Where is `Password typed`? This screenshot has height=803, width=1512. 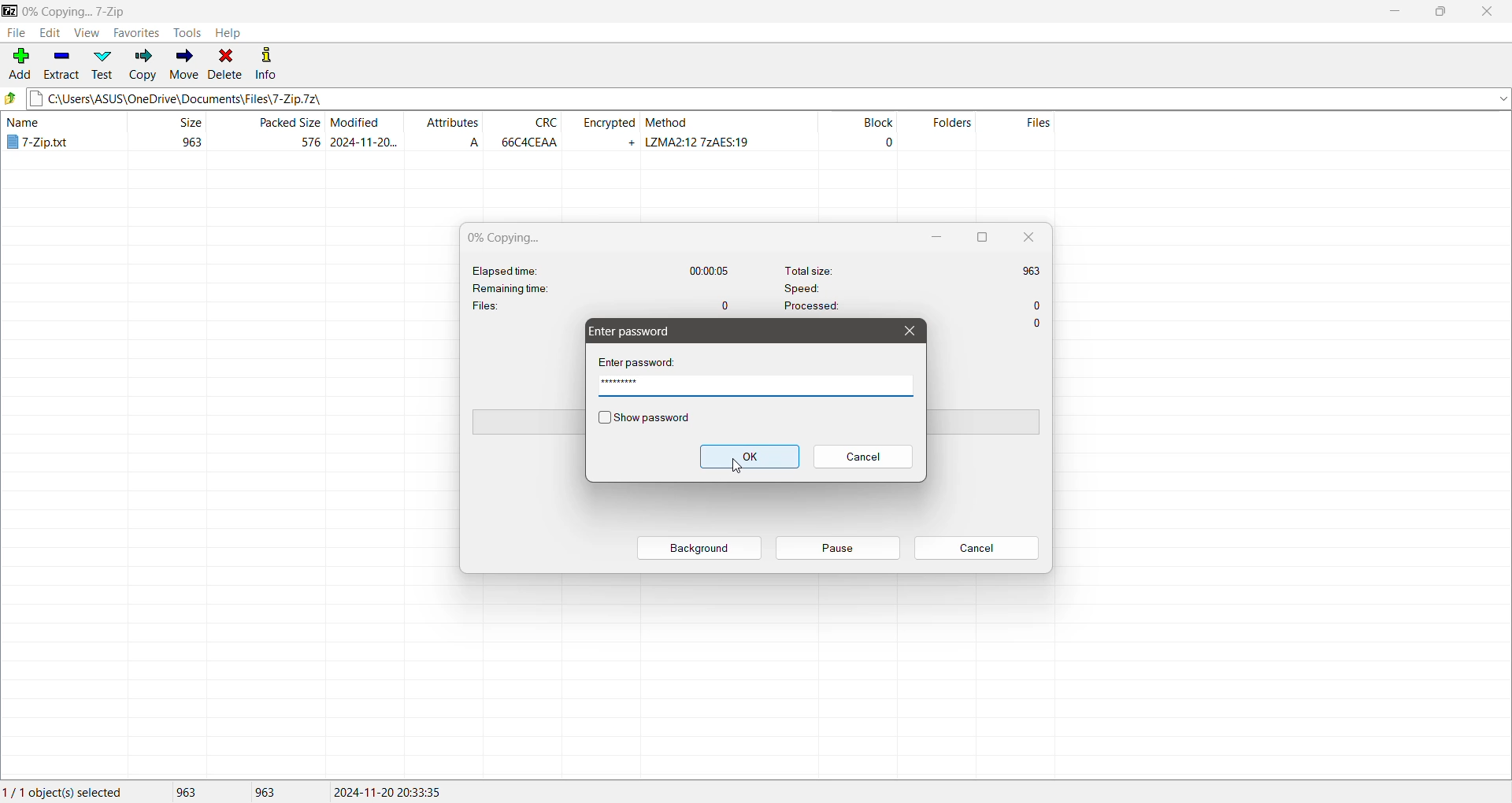
Password typed is located at coordinates (756, 388).